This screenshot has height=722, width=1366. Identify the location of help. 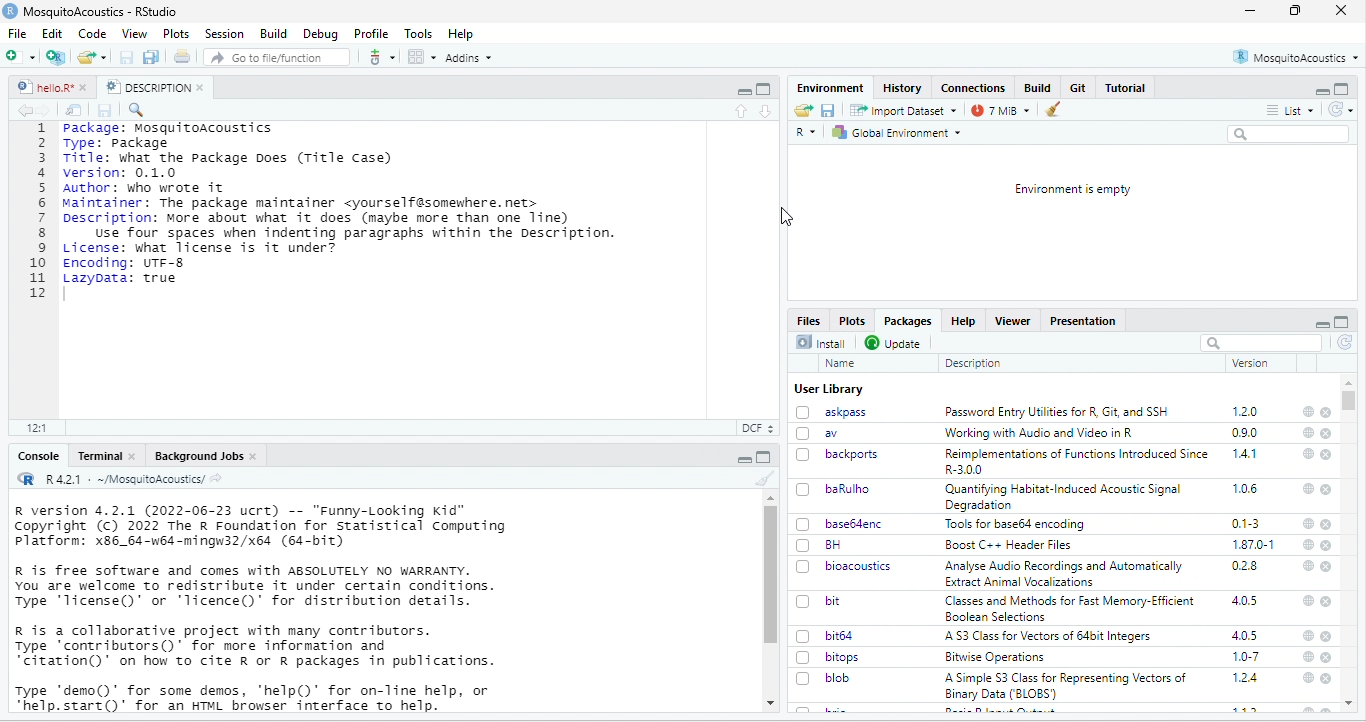
(1308, 637).